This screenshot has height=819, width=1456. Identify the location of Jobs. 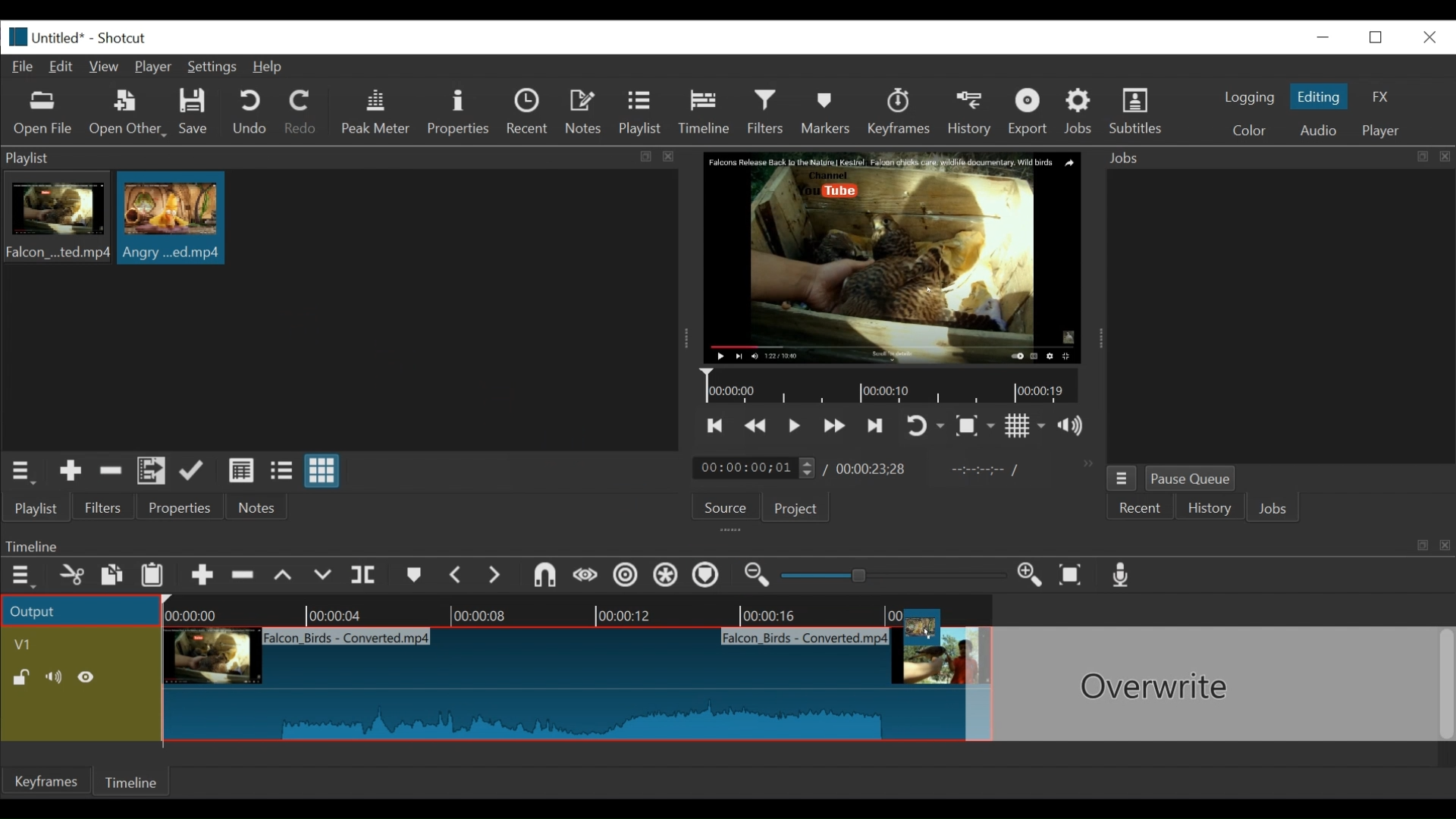
(1081, 111).